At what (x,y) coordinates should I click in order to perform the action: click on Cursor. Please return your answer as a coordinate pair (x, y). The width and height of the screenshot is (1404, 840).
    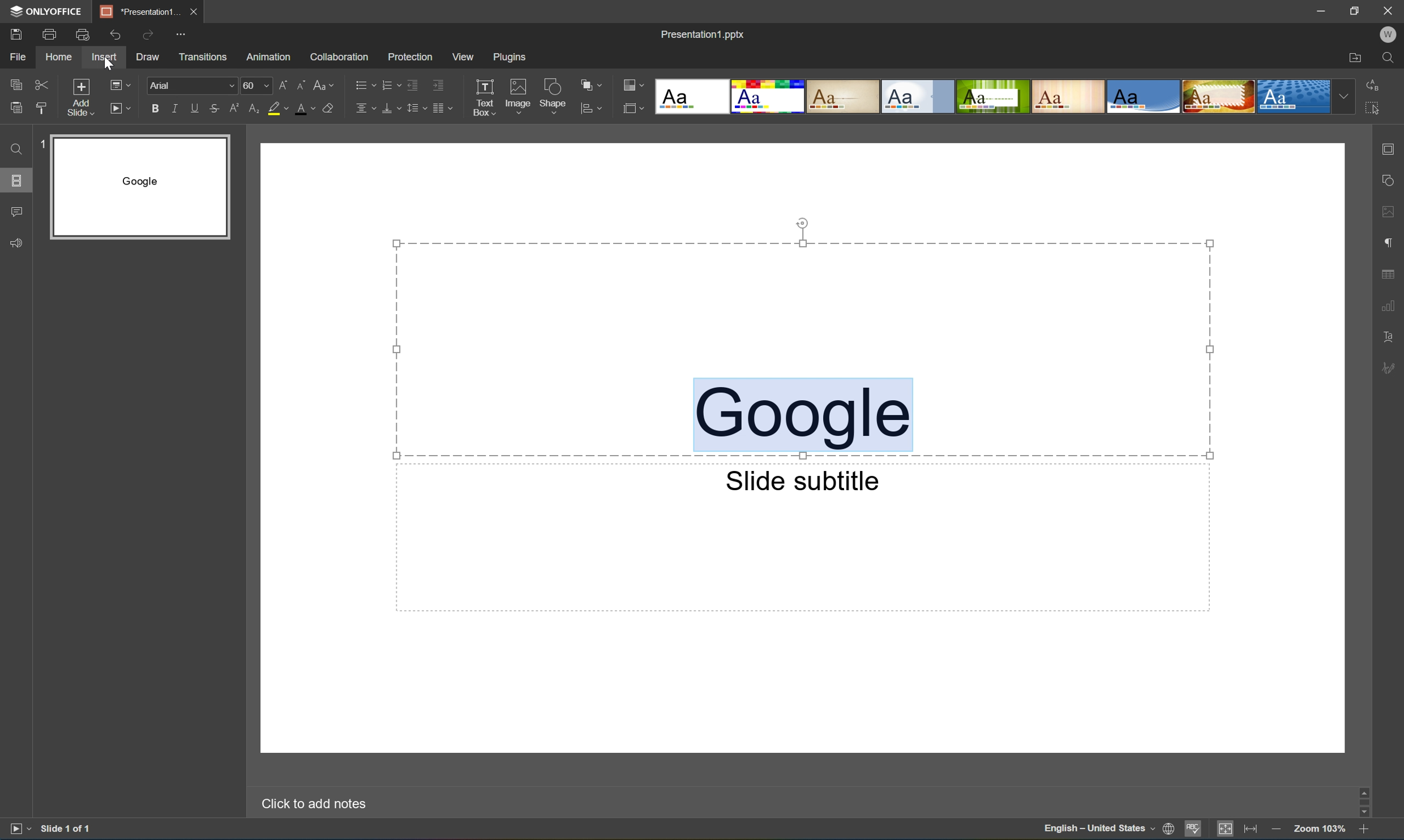
    Looking at the image, I should click on (109, 63).